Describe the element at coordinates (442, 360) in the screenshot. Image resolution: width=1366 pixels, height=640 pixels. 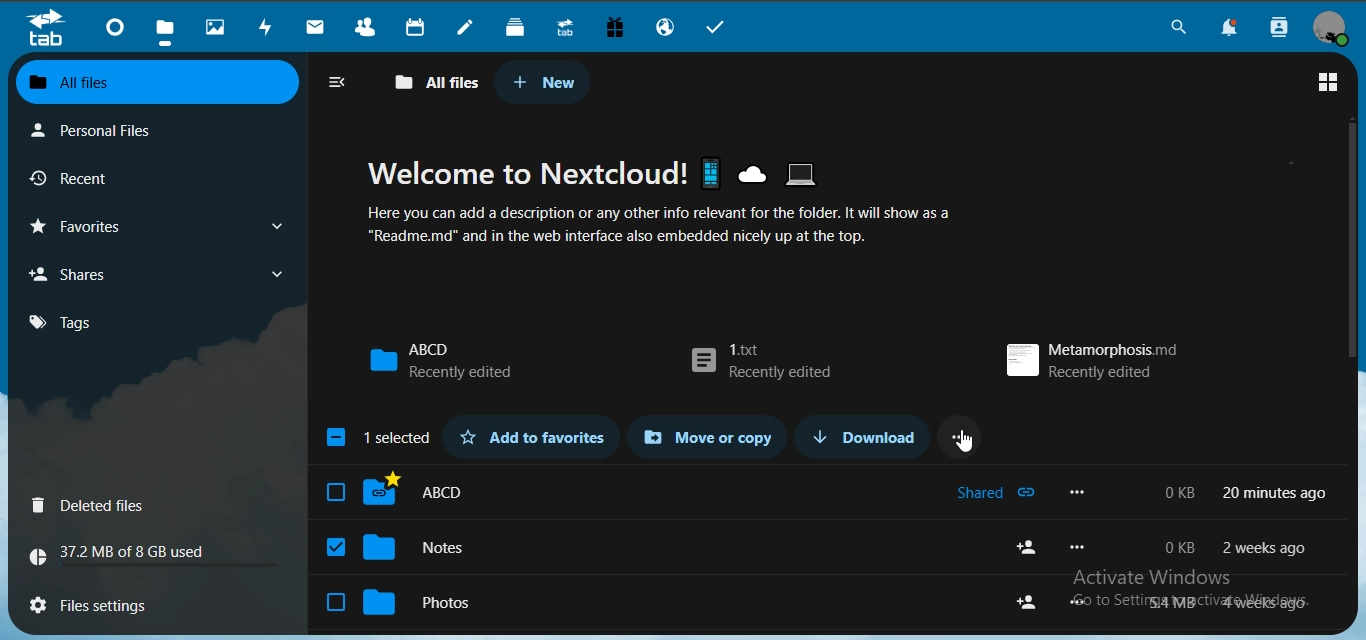
I see `ABCD recently edited` at that location.